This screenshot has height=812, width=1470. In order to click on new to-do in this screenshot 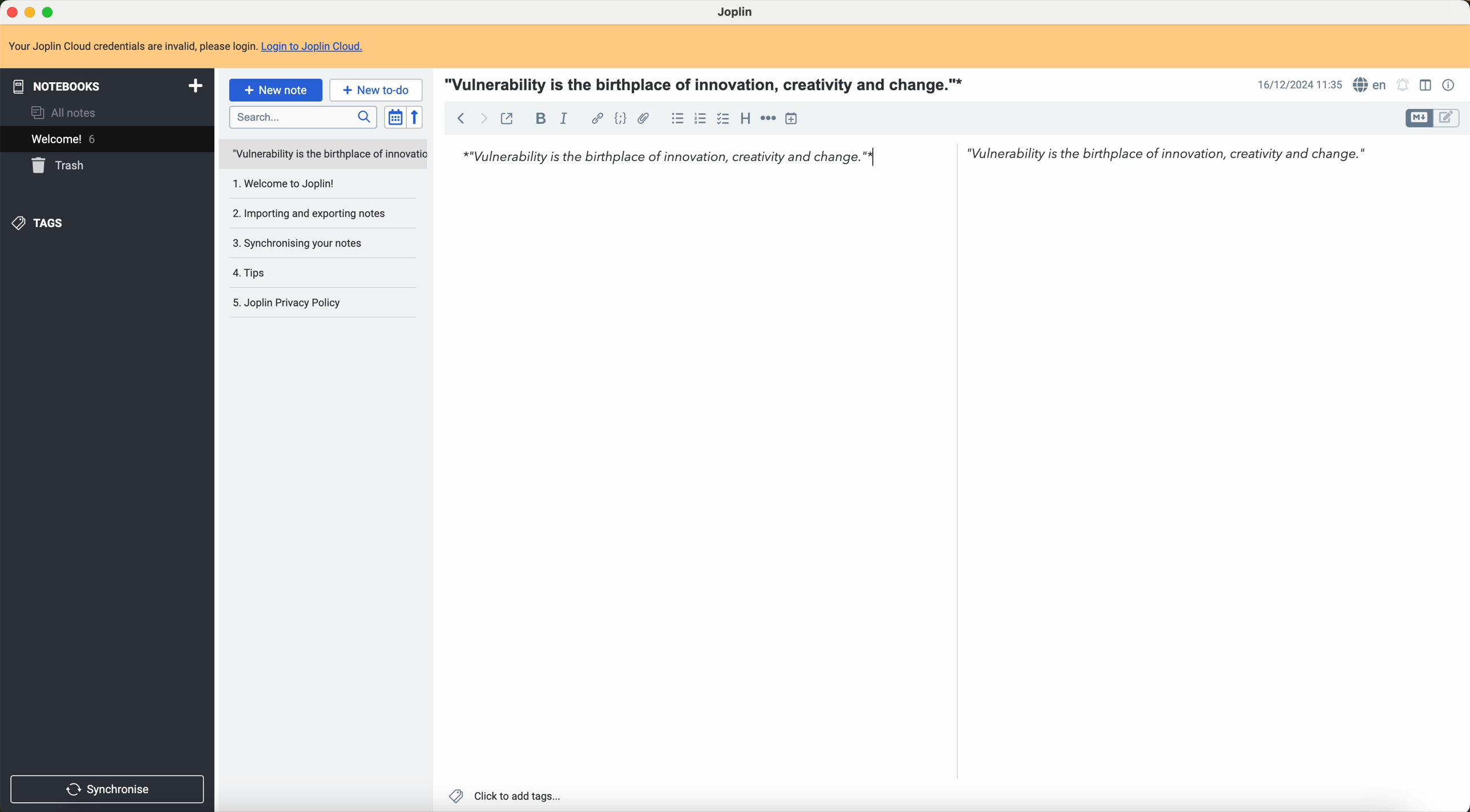, I will do `click(377, 90)`.